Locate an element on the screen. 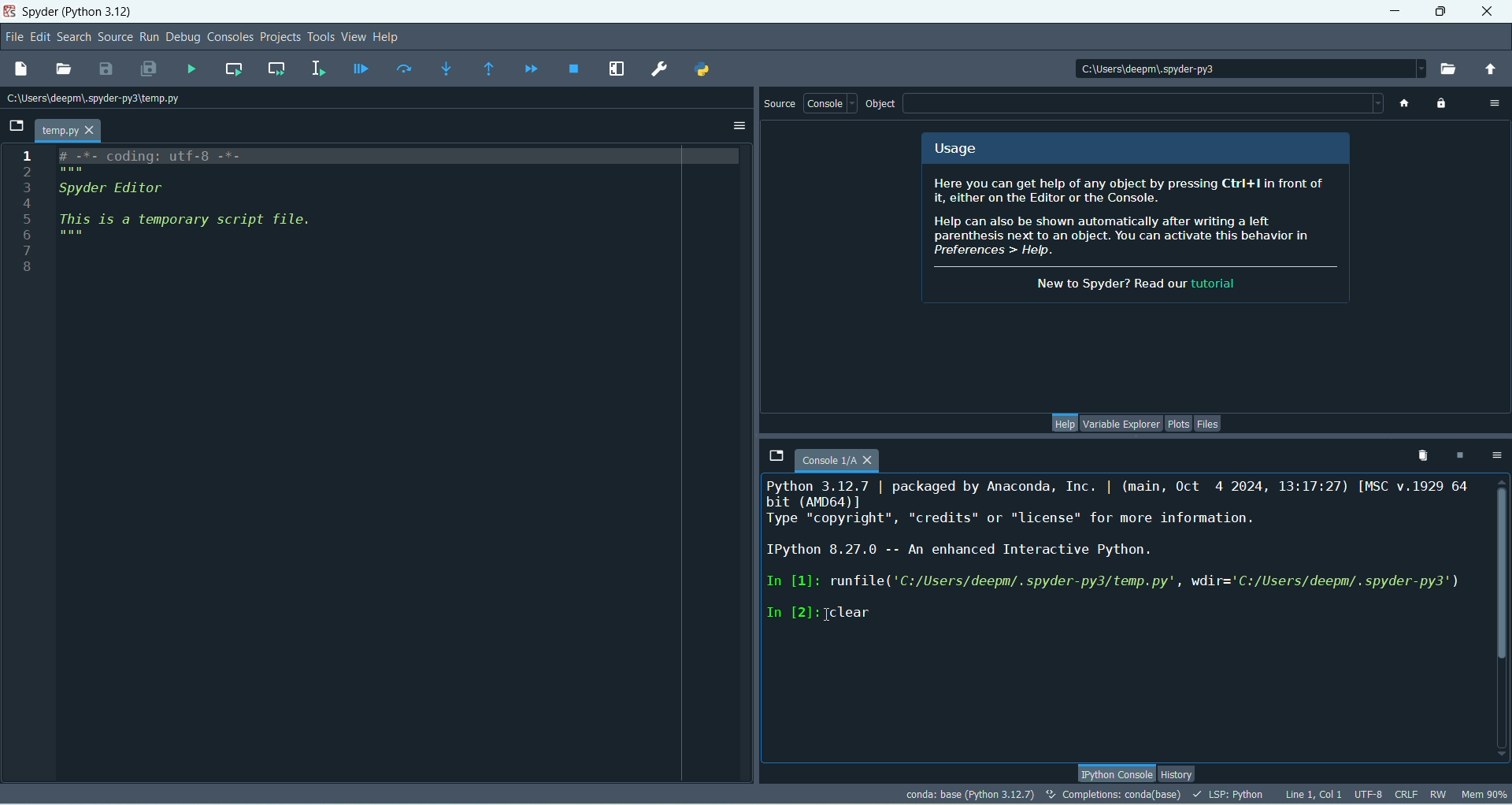 This screenshot has width=1512, height=805. numbers is located at coordinates (28, 210).